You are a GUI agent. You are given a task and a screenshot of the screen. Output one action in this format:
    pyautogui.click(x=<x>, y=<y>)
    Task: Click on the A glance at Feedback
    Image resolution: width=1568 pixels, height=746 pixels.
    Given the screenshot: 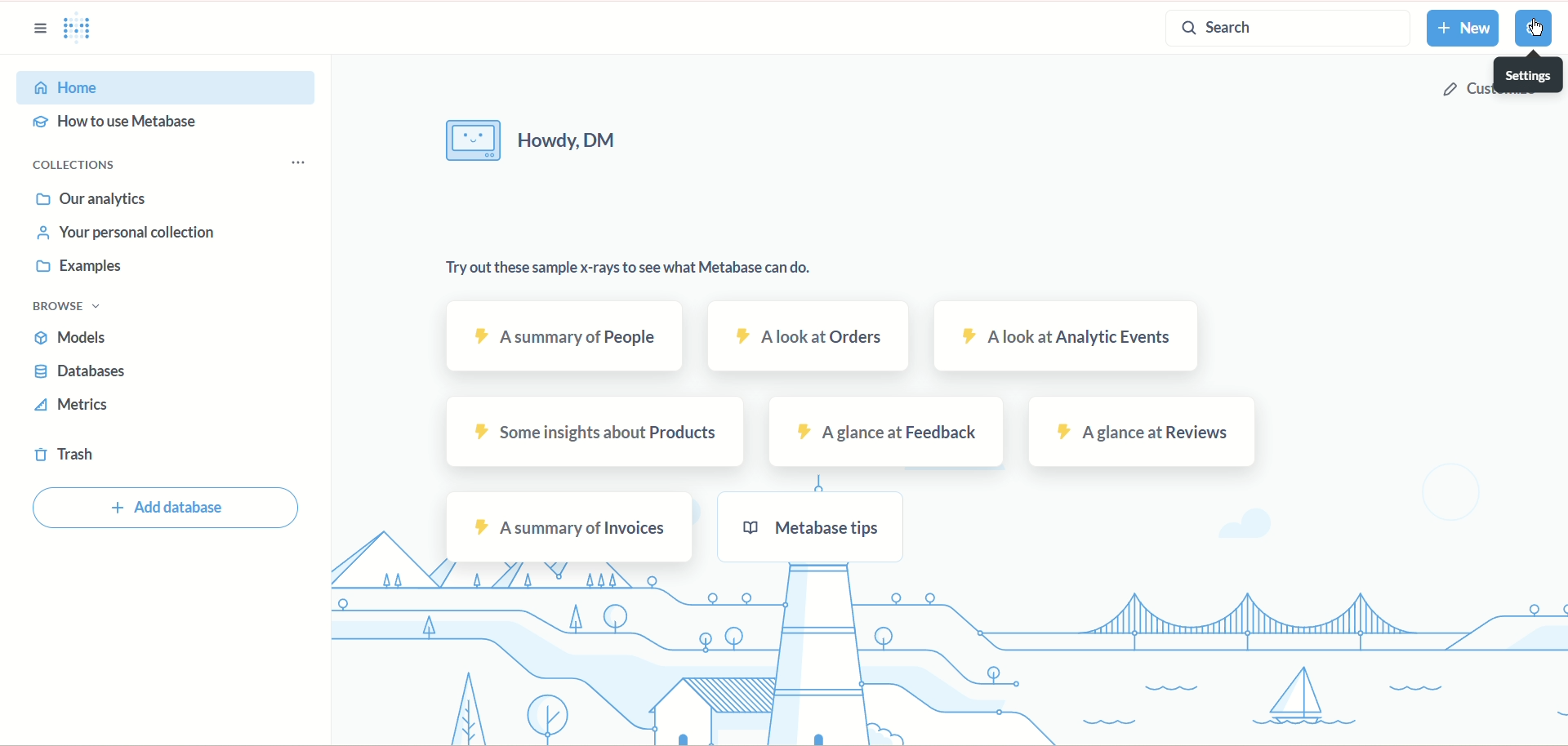 What is the action you would take?
    pyautogui.click(x=887, y=429)
    